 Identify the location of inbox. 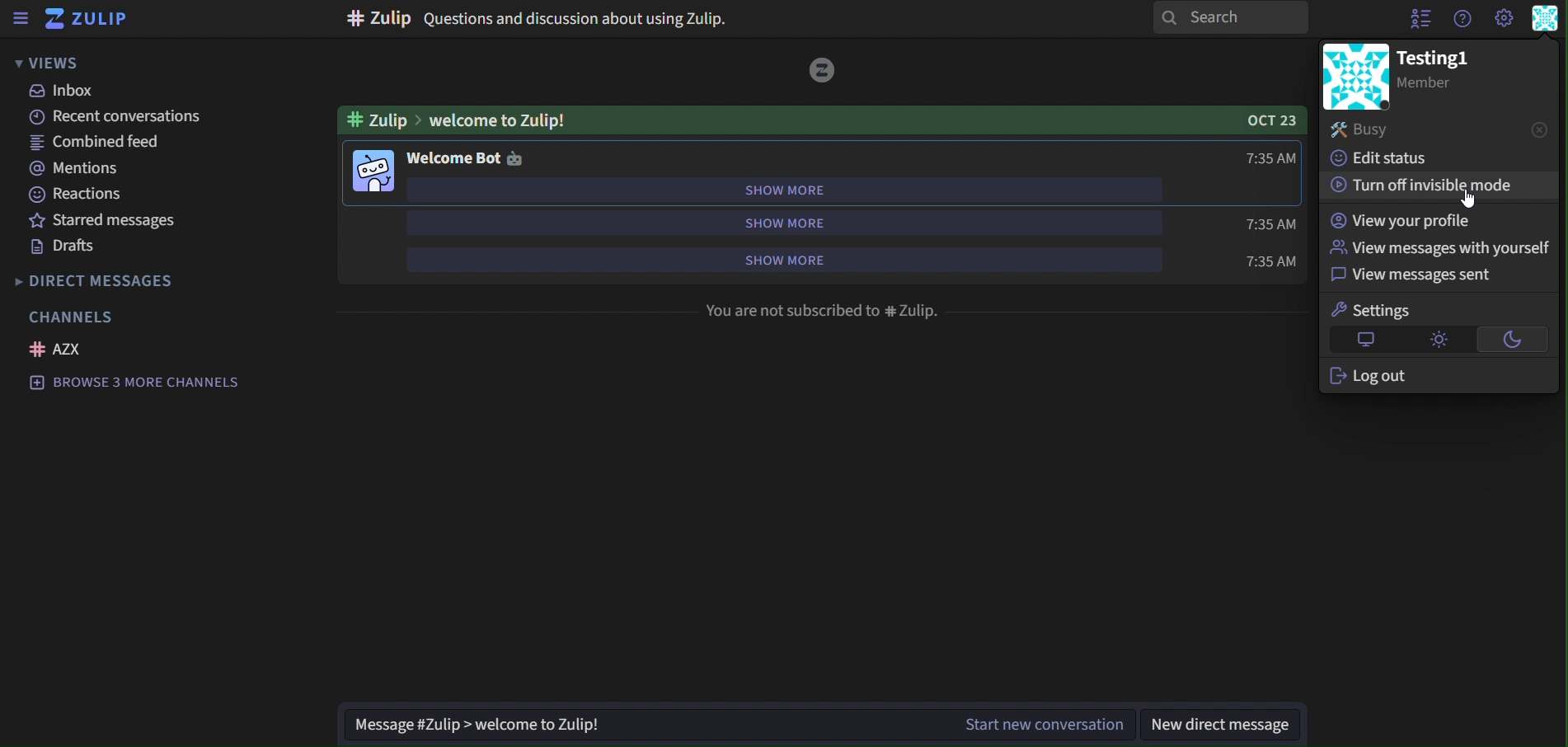
(66, 92).